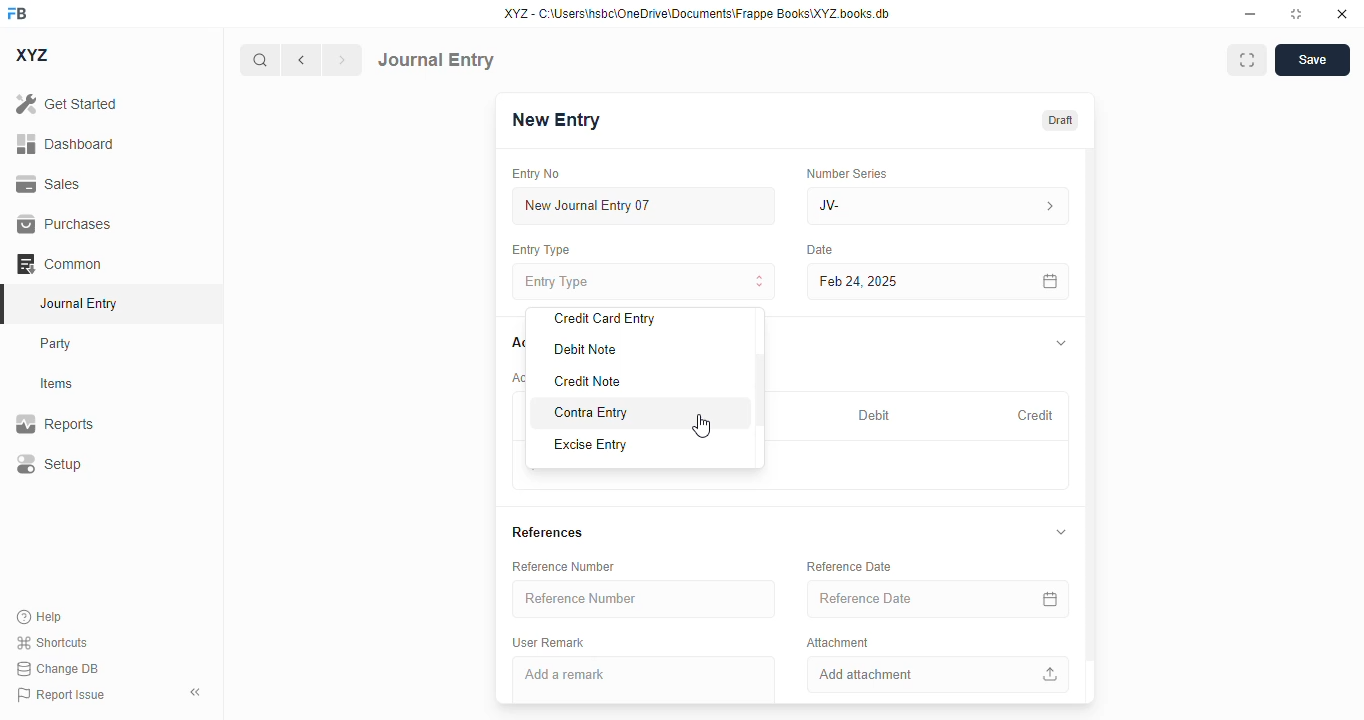 The height and width of the screenshot is (720, 1364). Describe the element at coordinates (59, 263) in the screenshot. I see `common` at that location.